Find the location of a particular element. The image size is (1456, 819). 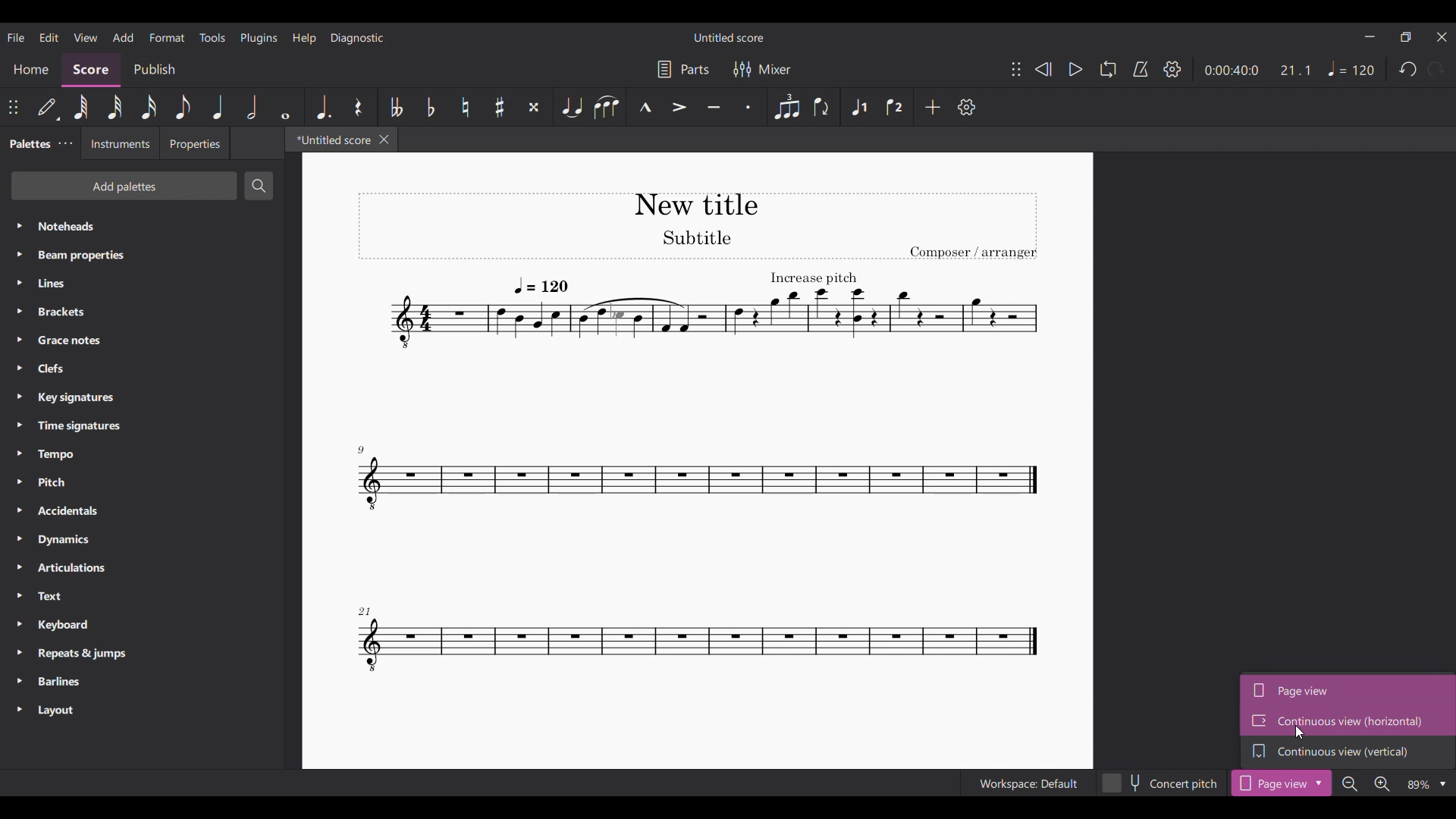

Add is located at coordinates (933, 108).